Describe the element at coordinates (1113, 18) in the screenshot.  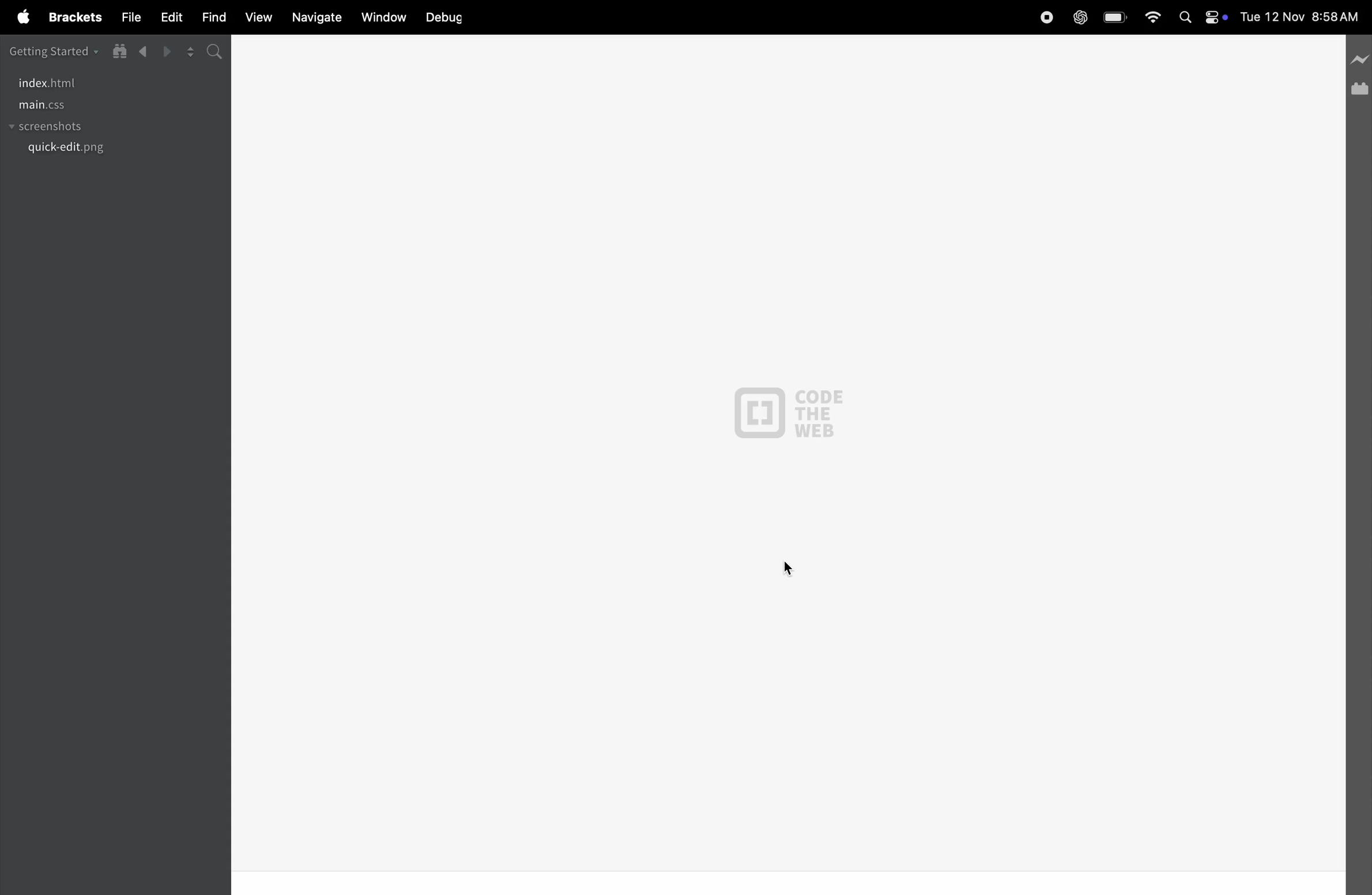
I see `battery` at that location.